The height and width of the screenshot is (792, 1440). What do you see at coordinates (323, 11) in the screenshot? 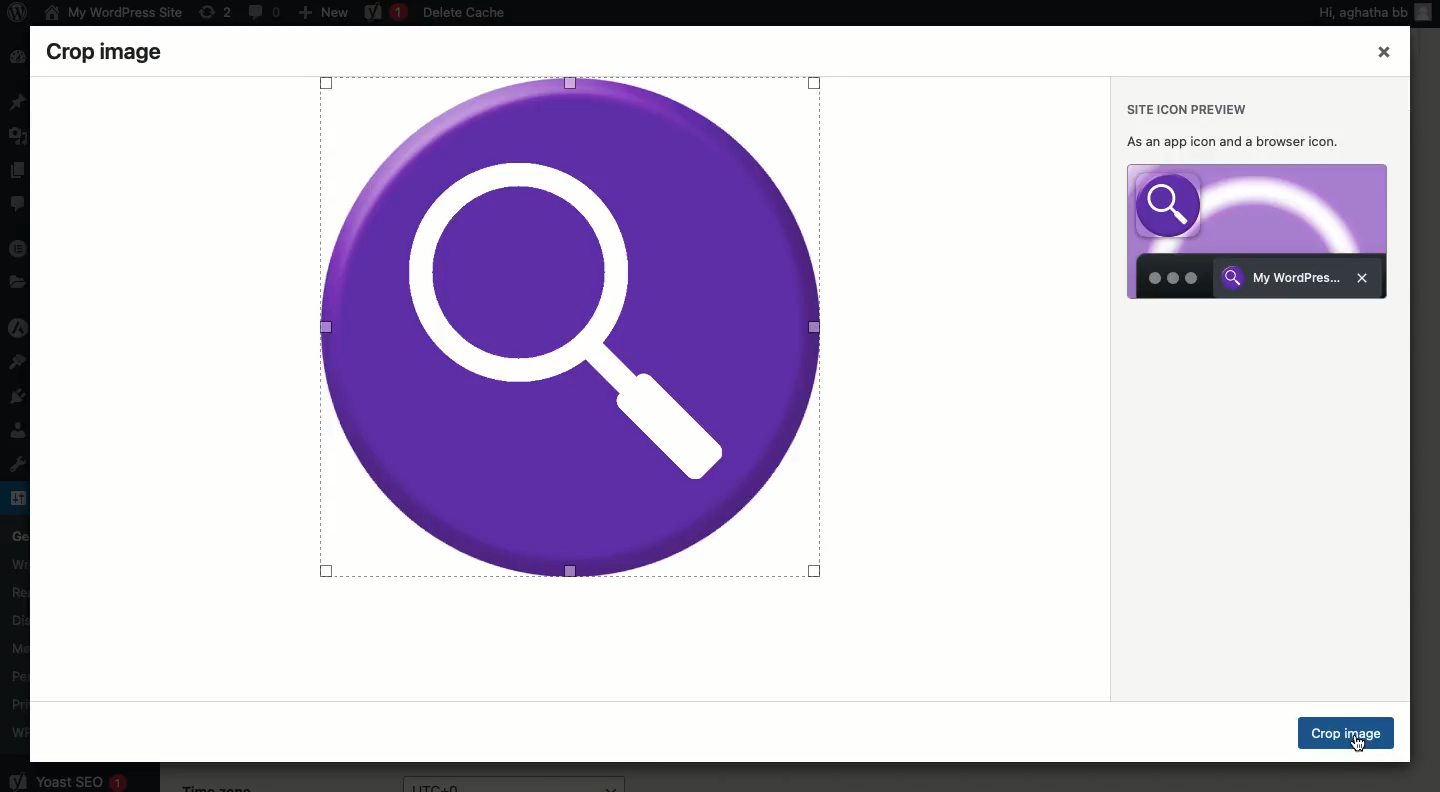
I see `New` at bounding box center [323, 11].